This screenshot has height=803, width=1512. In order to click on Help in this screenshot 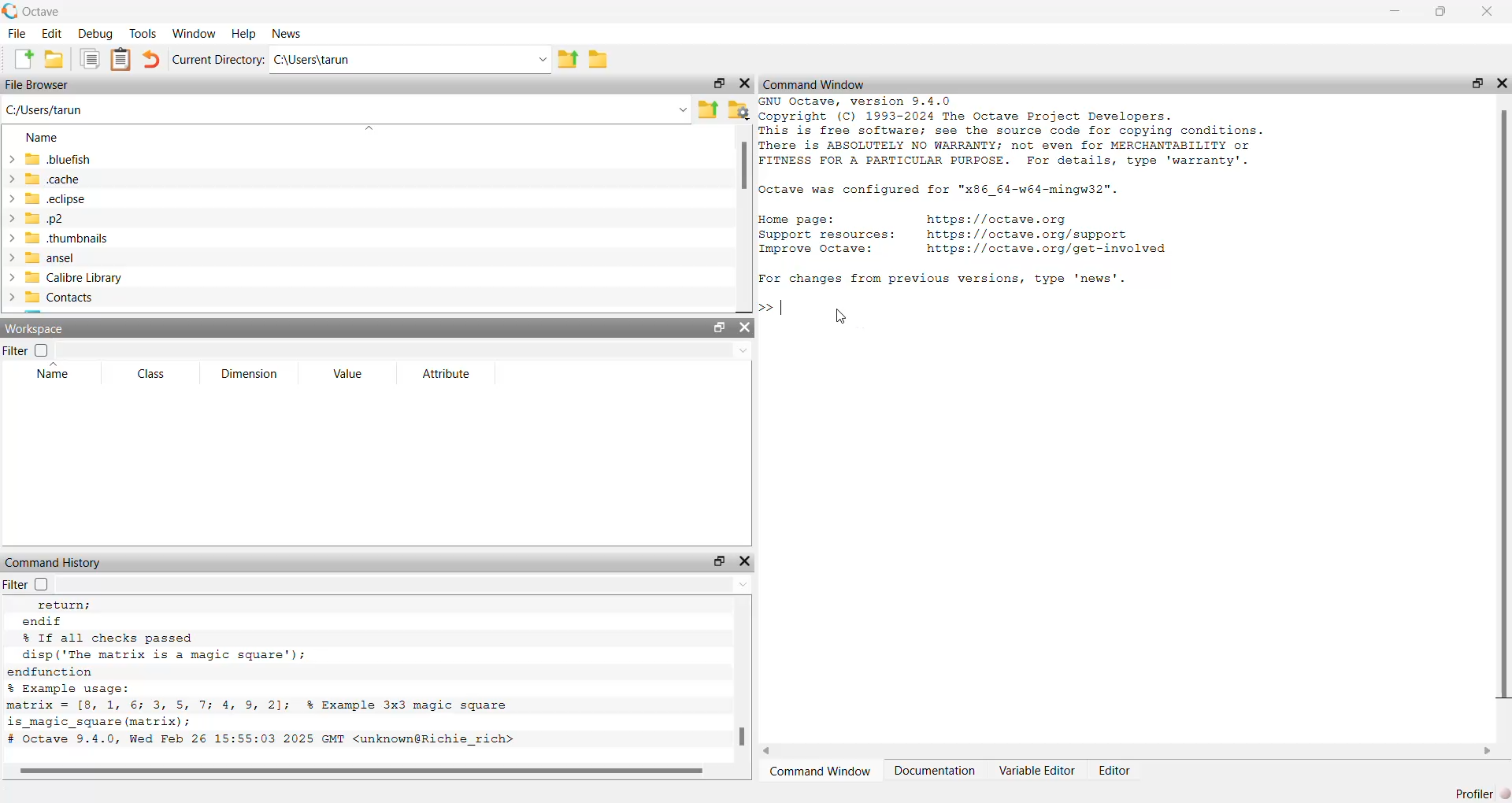, I will do `click(246, 33)`.